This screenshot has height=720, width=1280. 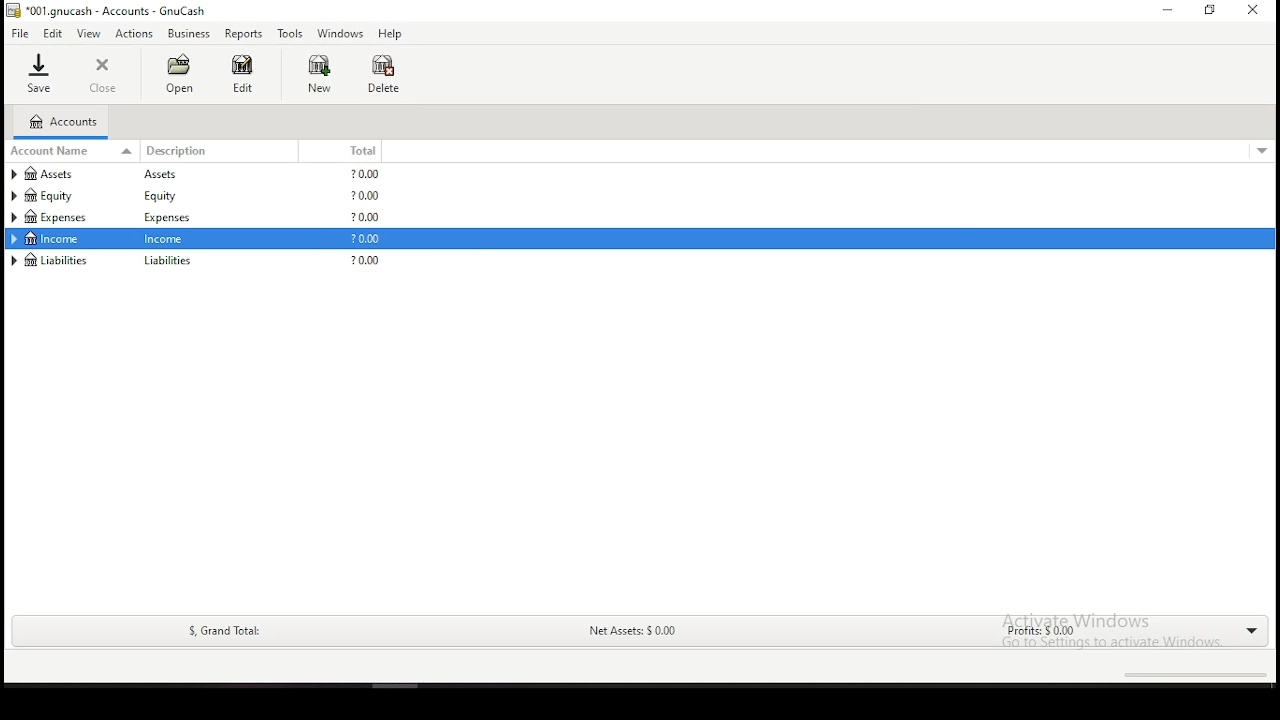 I want to click on income, so click(x=168, y=239).